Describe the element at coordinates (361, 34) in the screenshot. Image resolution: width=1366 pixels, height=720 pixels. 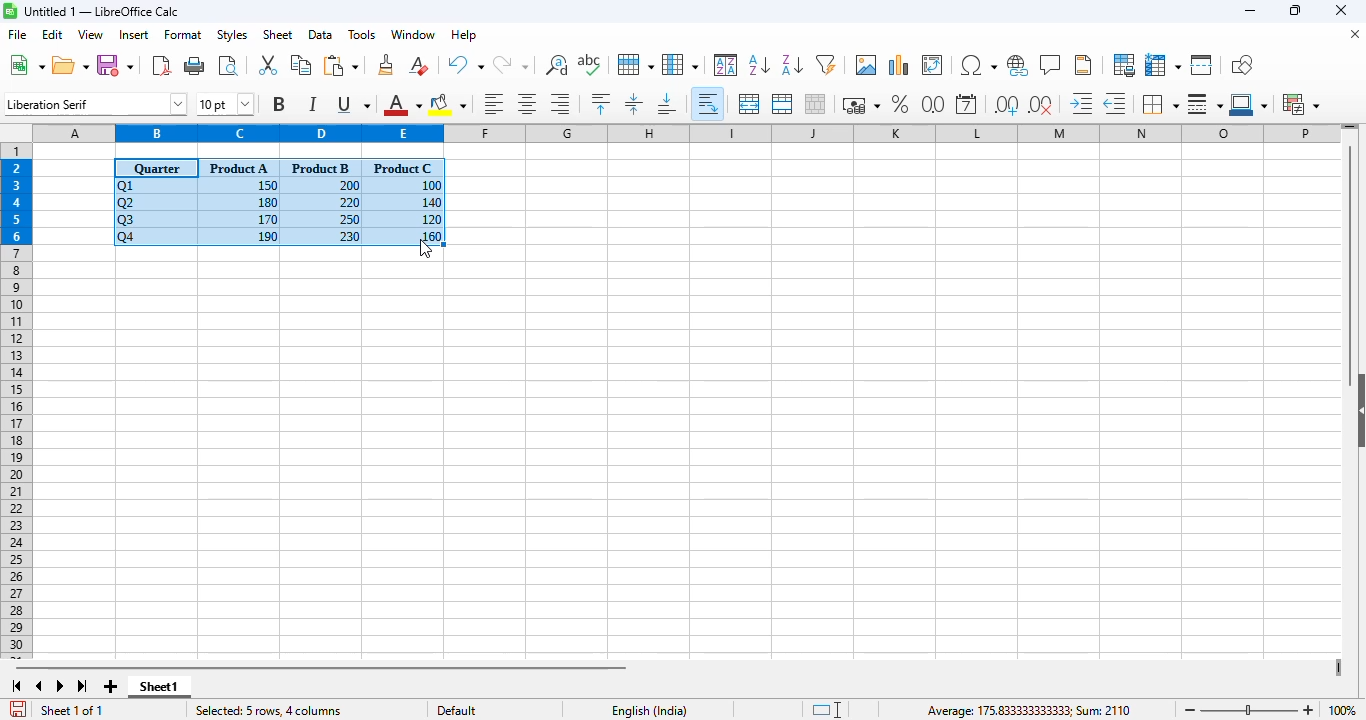
I see `tools` at that location.